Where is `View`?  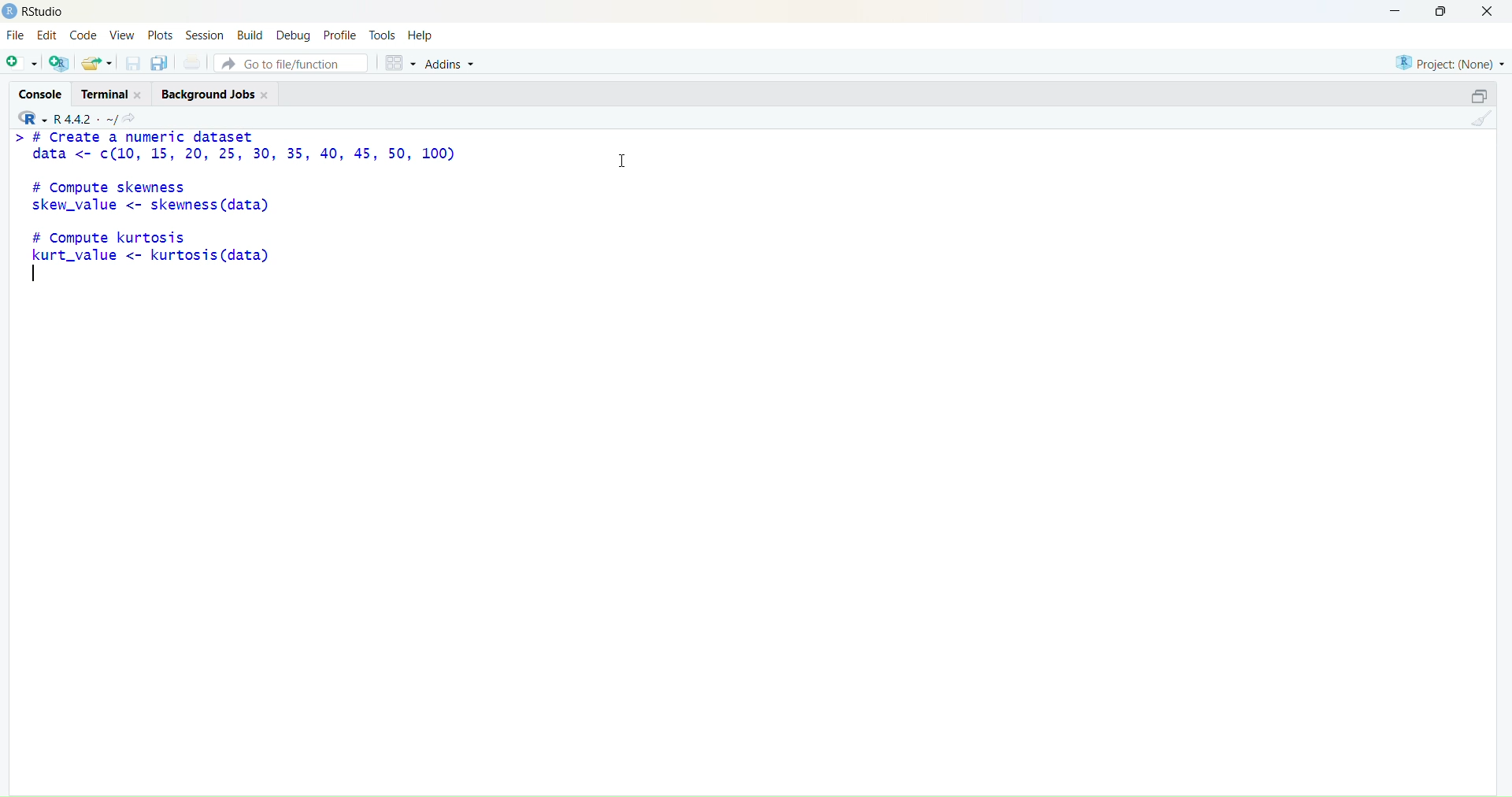 View is located at coordinates (120, 36).